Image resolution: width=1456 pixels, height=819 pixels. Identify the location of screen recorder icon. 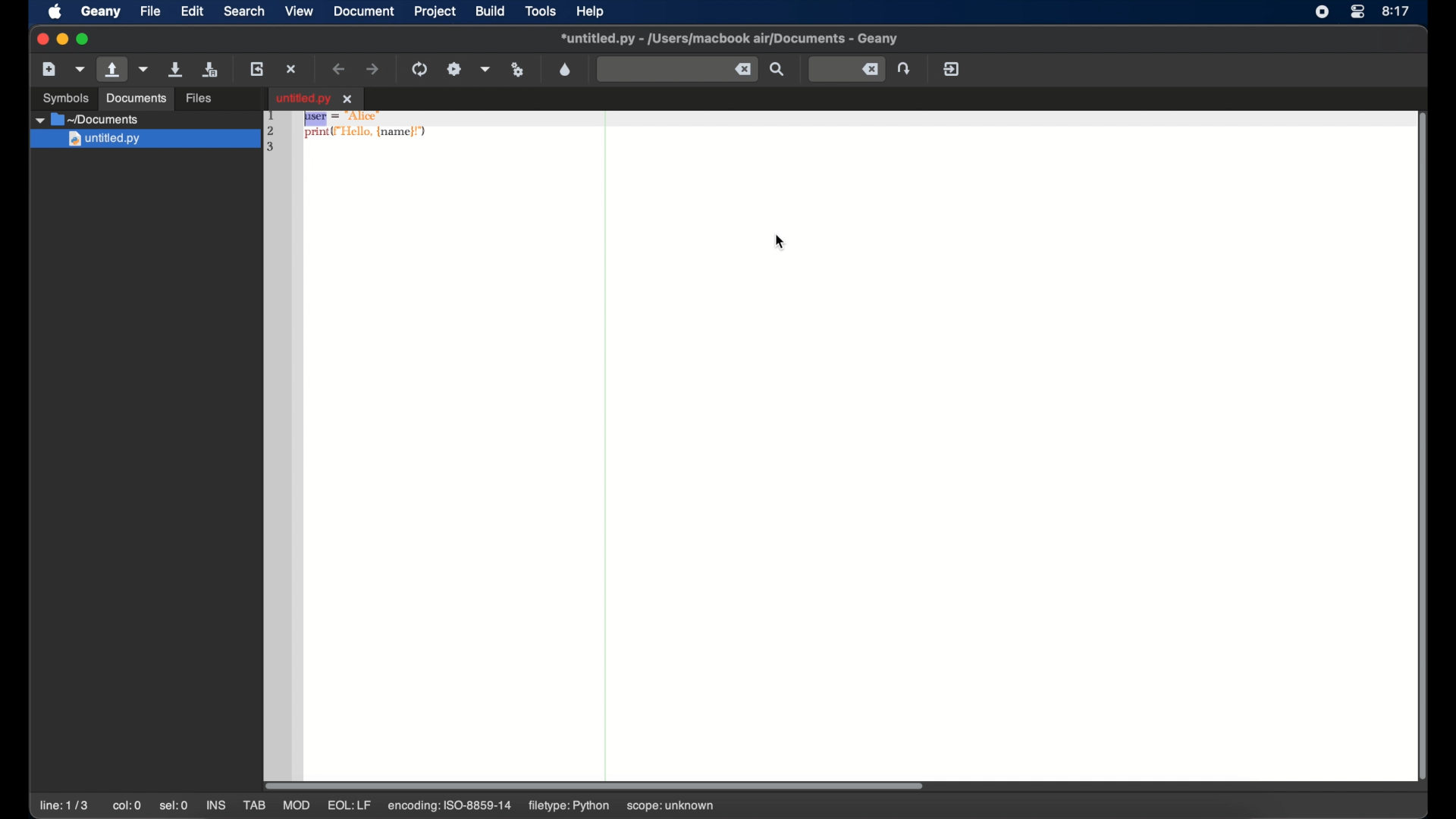
(1321, 12).